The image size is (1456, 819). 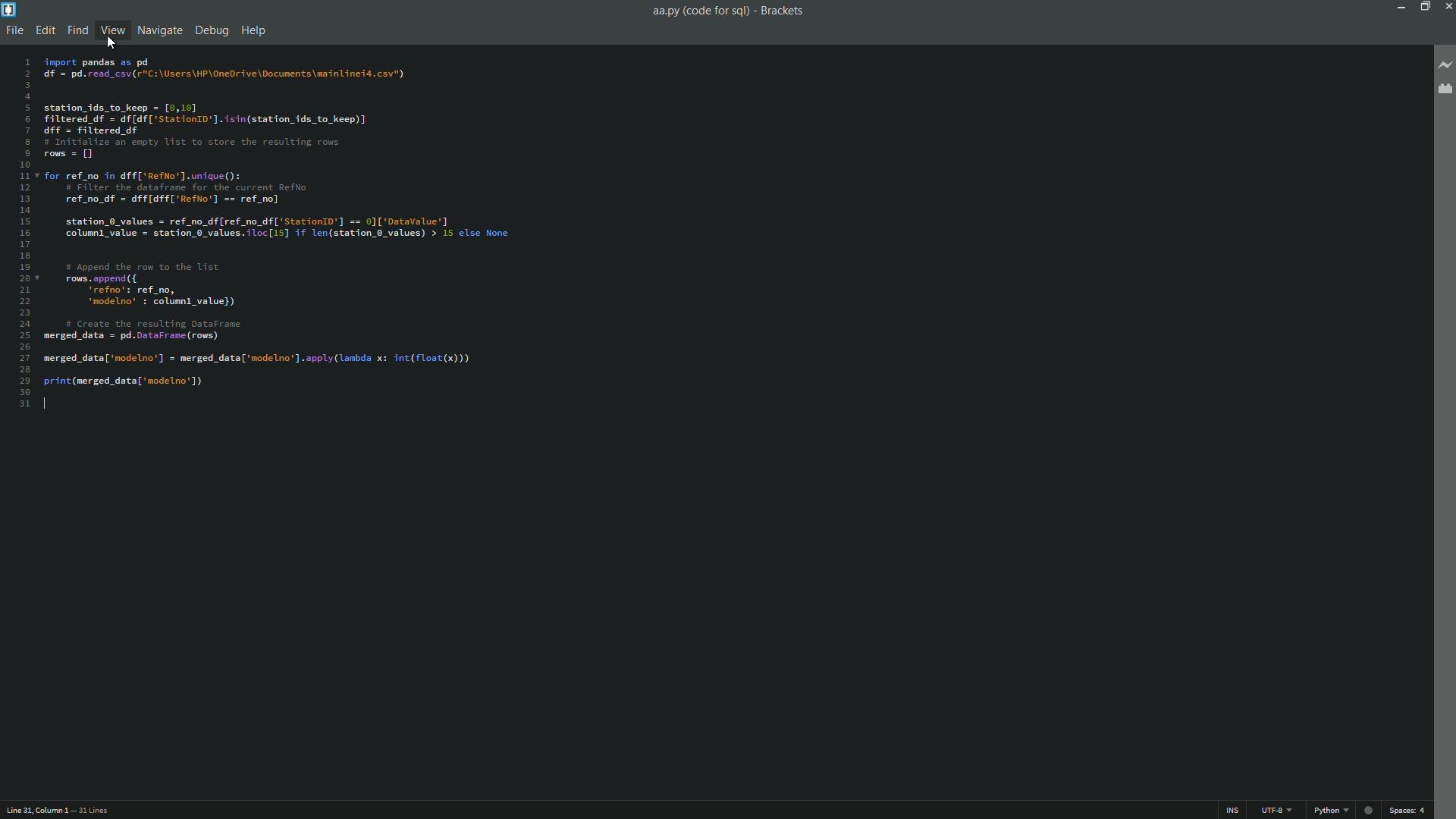 What do you see at coordinates (297, 223) in the screenshot?
I see `import pandas as pd
df = pd.read_csv(r"C:\Users\HP\OneDrive\Docunents\mainlinei4.csv")
station_ids_to_keep = [0,16]
filtered df = df [df['Station1D'].isin(station_ids_to_keep)]
dff = filtered df
# Initialize an empty list to store the resulting rows
rows = []
for ref_no in dff['RefNo'].unique():
# Filter the dataframe for the current RefNo
ref_no_df = dff[dff['Reflo'] == ref_no]
station_0_values = ref_no_df[ref_no_df['StationI'] == 0]['DataValue']
columnl value = station_0_values.iloc[15] if len(station_0_values) > 15 else None
# Append the row to the list
 rows.append({
‘refno': ref_no,
‘modelno’ : columnl_value})
# Create the resulting DataFrame
merged_data = pd.DataFrane (rows)
merged_data['modelno’] = merged_data['modelno']. apply (lambda x: int(float(x)))
print(merged_datal'modelno'])` at bounding box center [297, 223].